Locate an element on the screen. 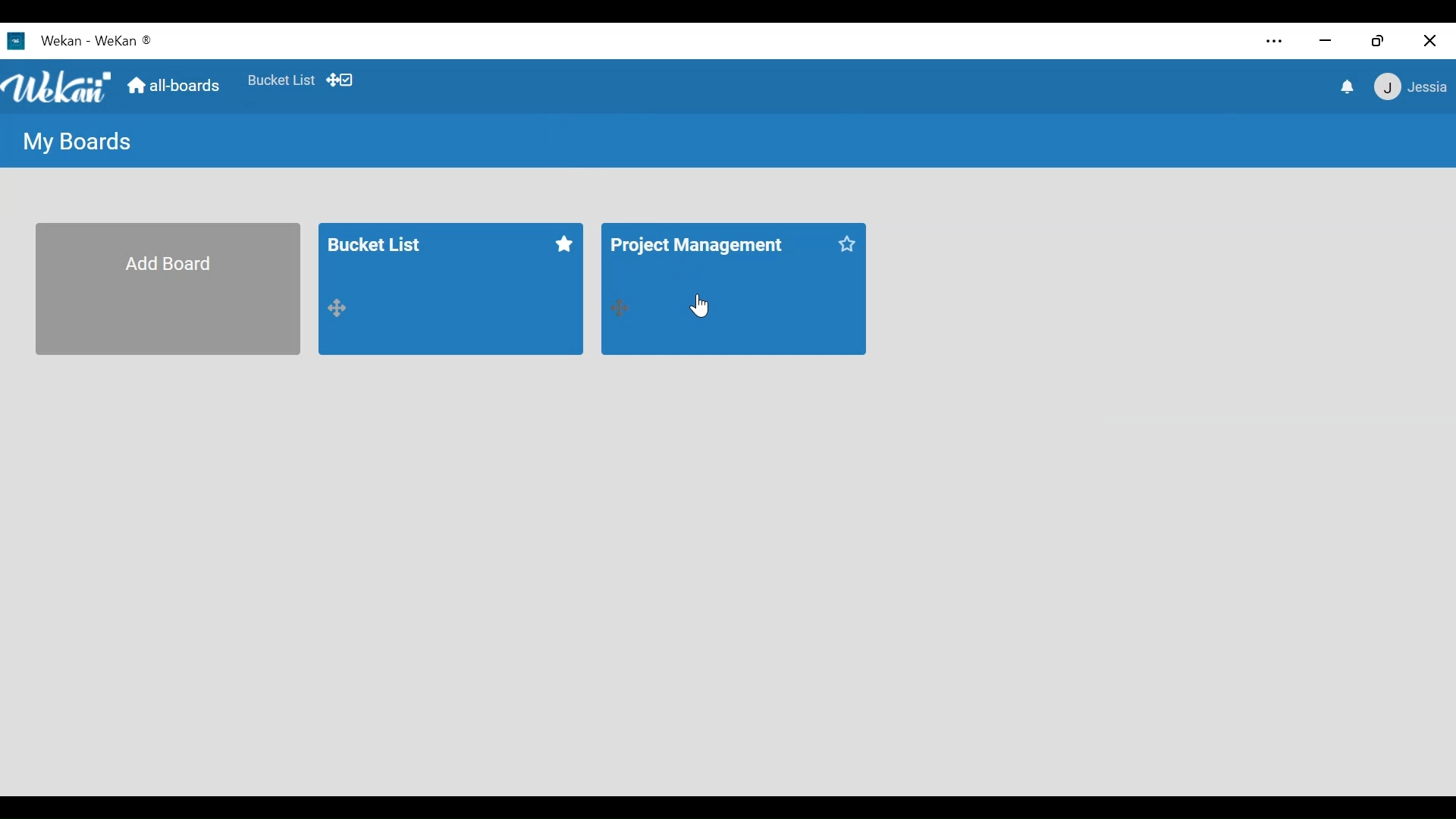  Home (all-boars is located at coordinates (177, 86).